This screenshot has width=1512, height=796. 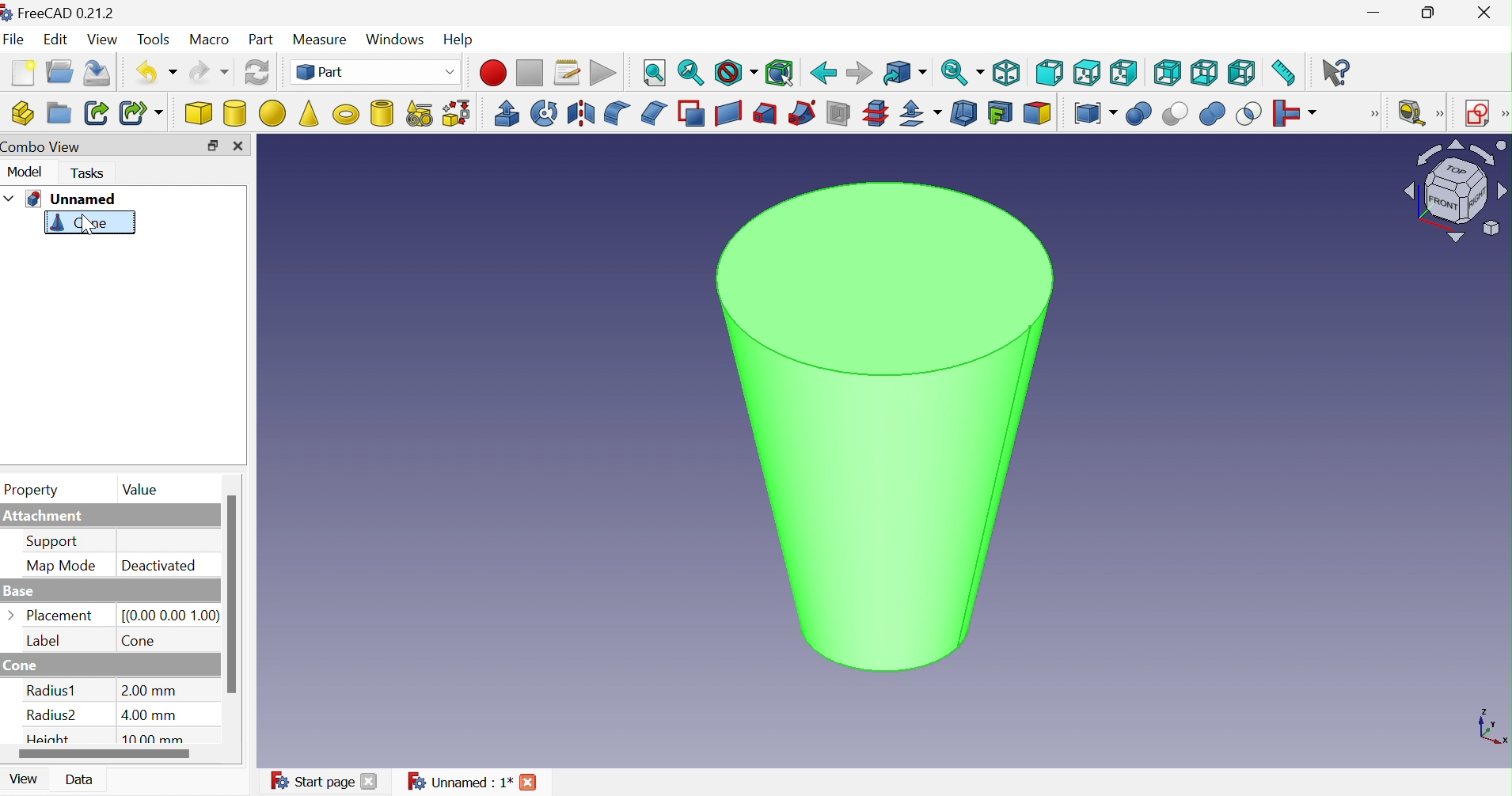 What do you see at coordinates (150, 715) in the screenshot?
I see `4.00 mm` at bounding box center [150, 715].